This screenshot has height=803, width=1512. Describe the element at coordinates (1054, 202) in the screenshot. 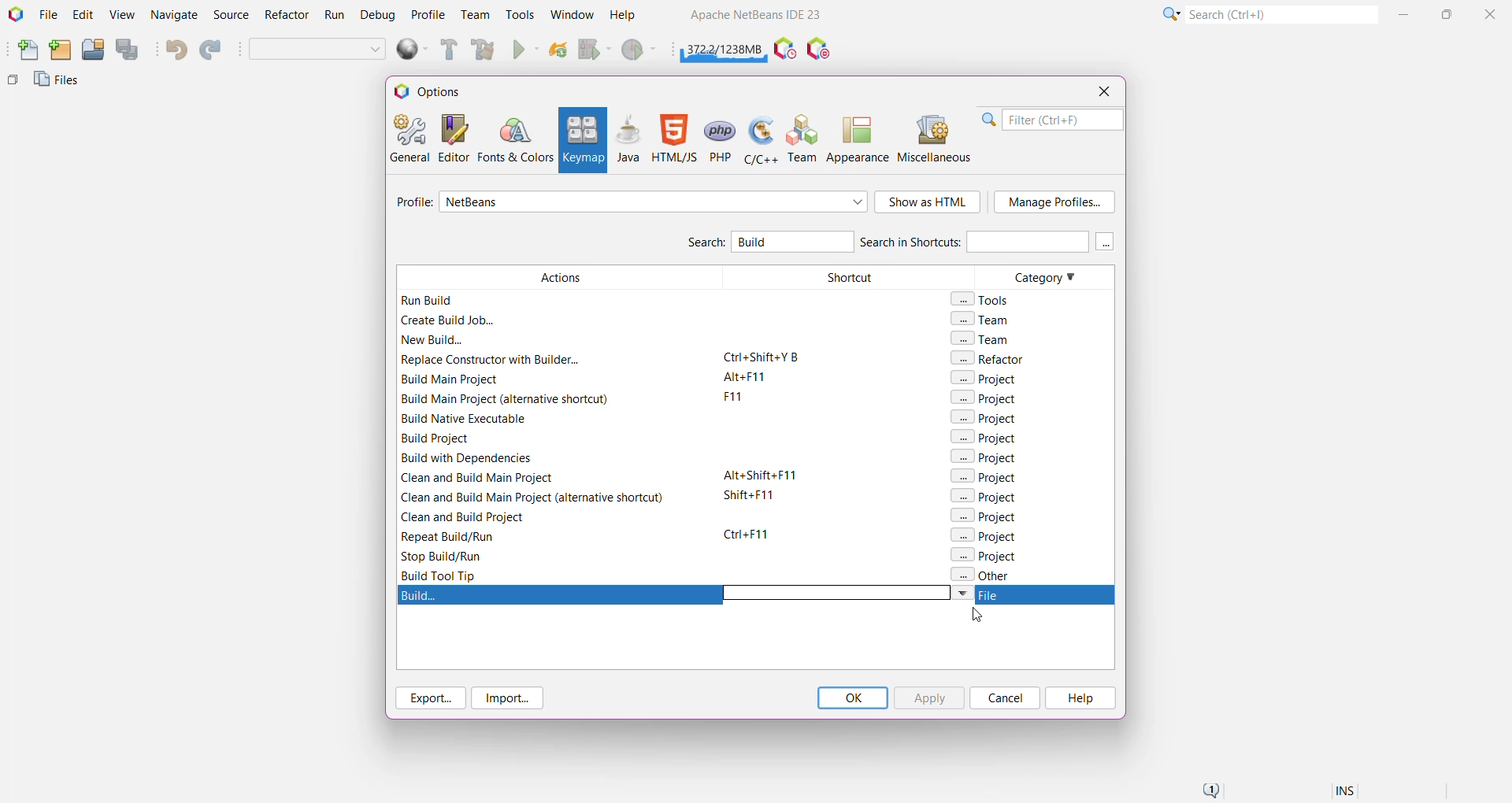

I see `Manage Profile` at that location.